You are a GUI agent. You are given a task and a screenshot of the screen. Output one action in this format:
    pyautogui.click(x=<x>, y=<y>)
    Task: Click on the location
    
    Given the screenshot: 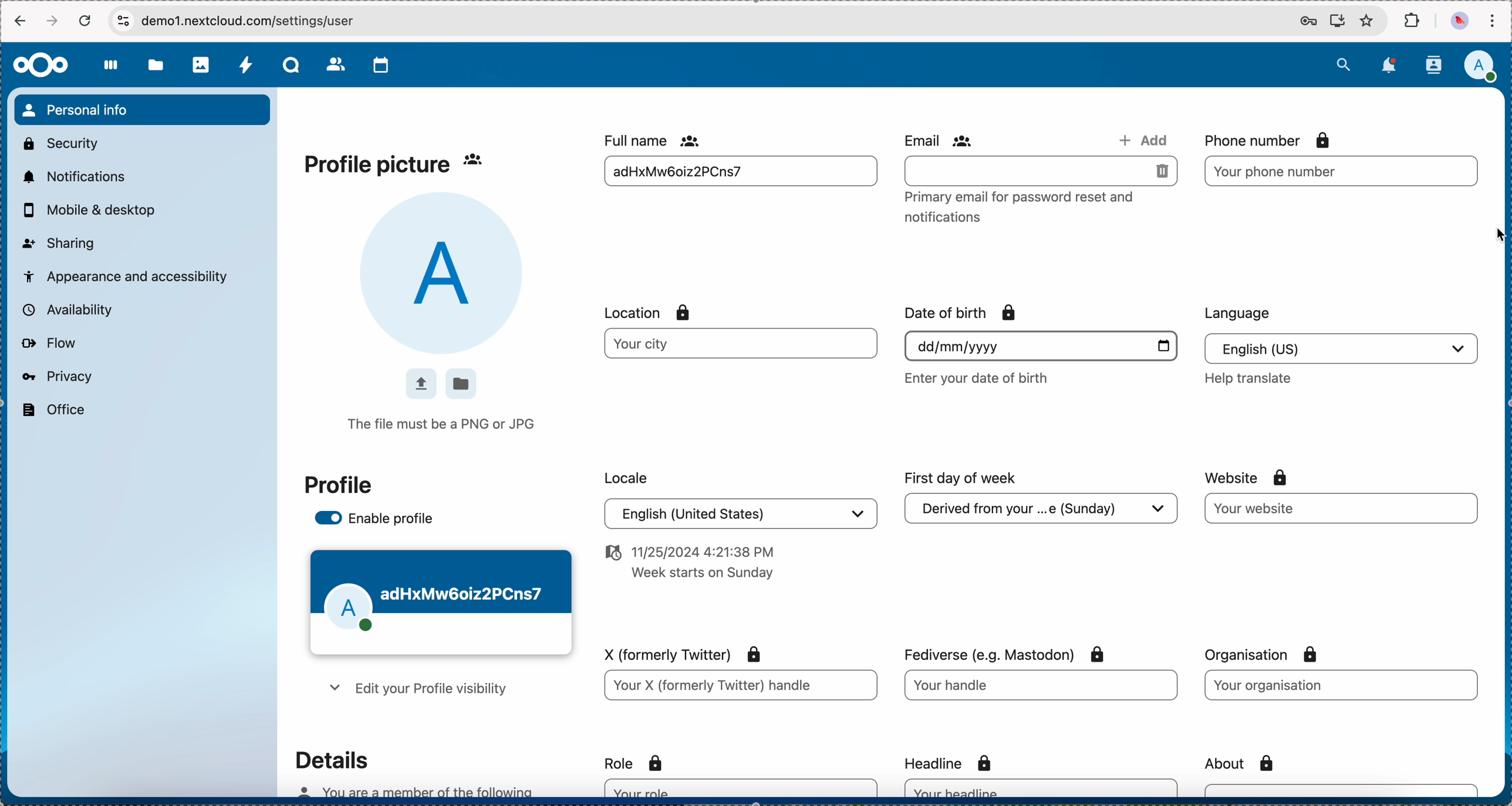 What is the action you would take?
    pyautogui.click(x=650, y=313)
    